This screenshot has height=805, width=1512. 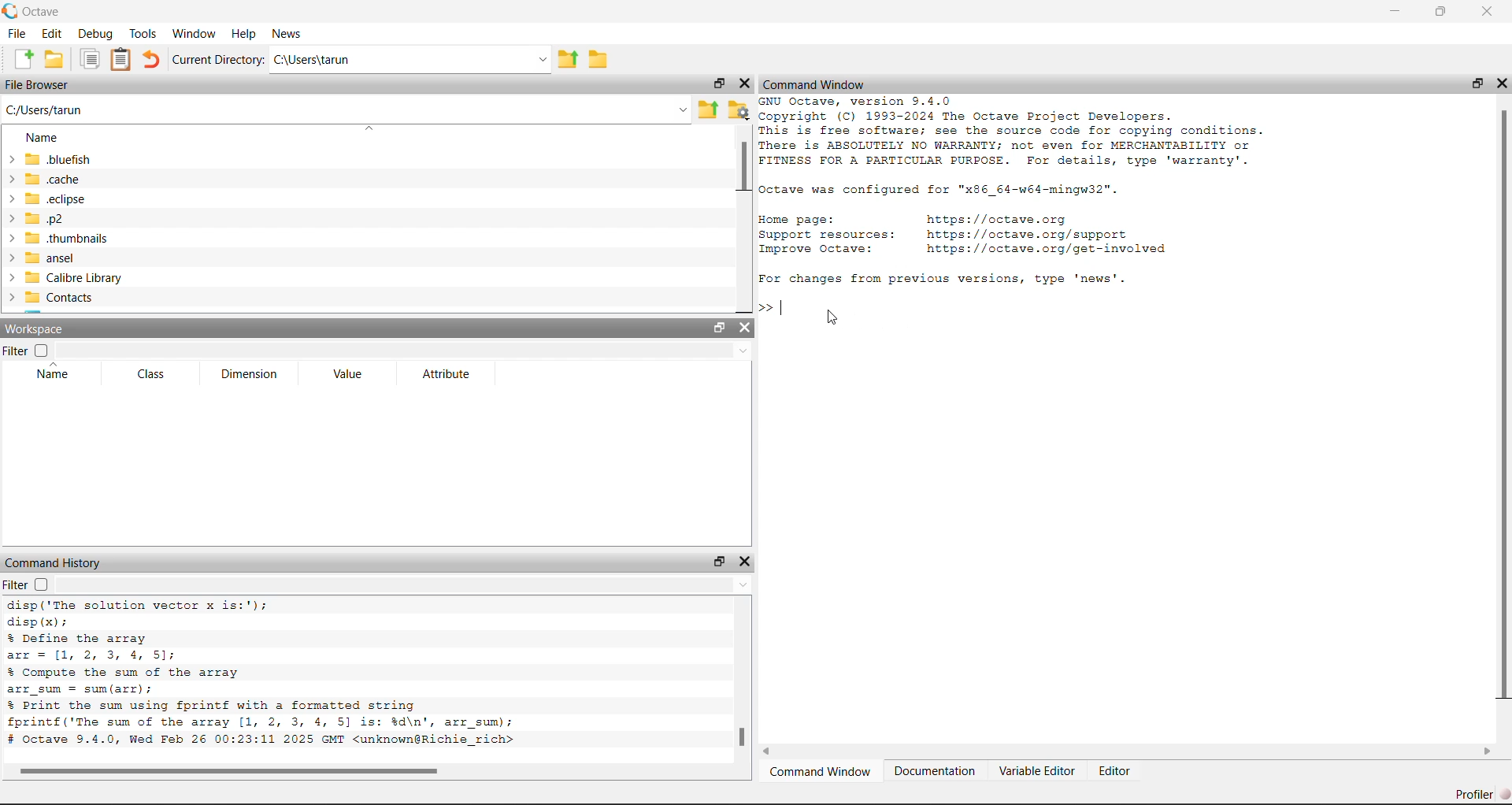 I want to click on Paste, so click(x=121, y=60).